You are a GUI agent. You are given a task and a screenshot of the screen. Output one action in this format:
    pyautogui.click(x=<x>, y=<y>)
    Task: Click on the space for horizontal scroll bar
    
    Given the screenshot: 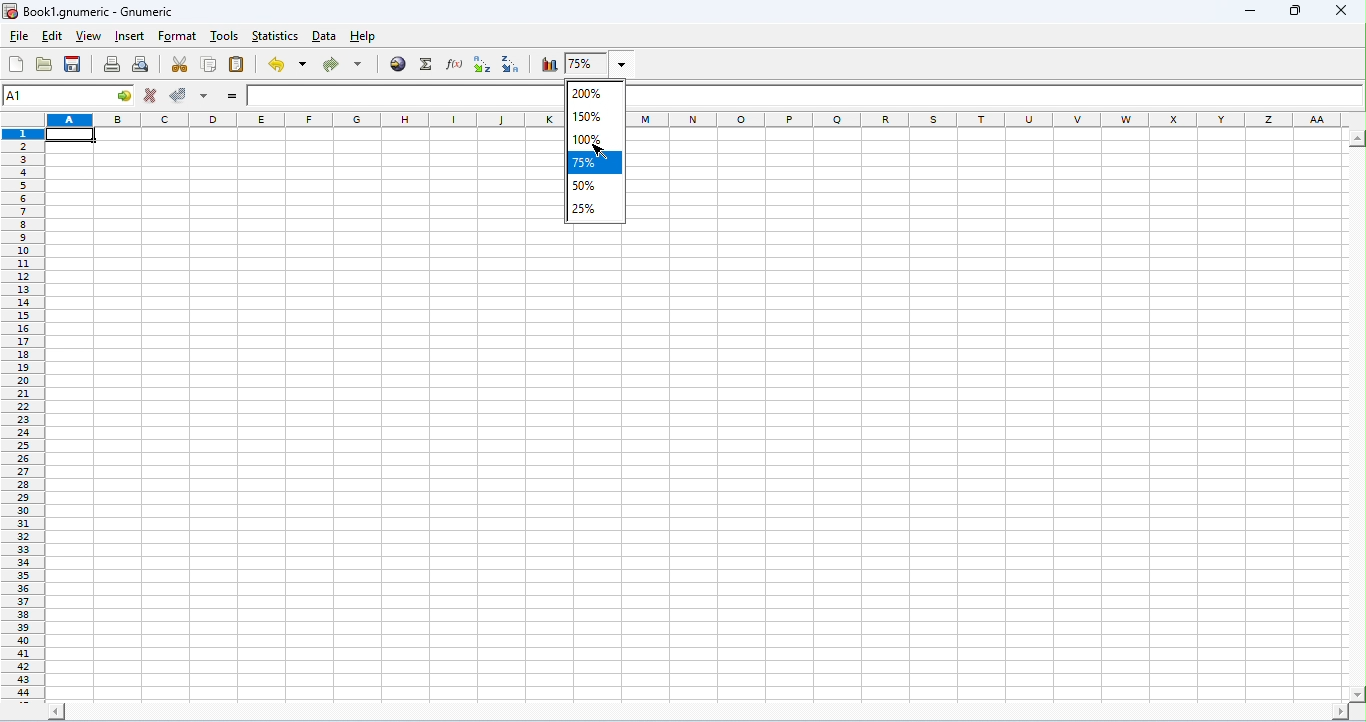 What is the action you would take?
    pyautogui.click(x=696, y=713)
    